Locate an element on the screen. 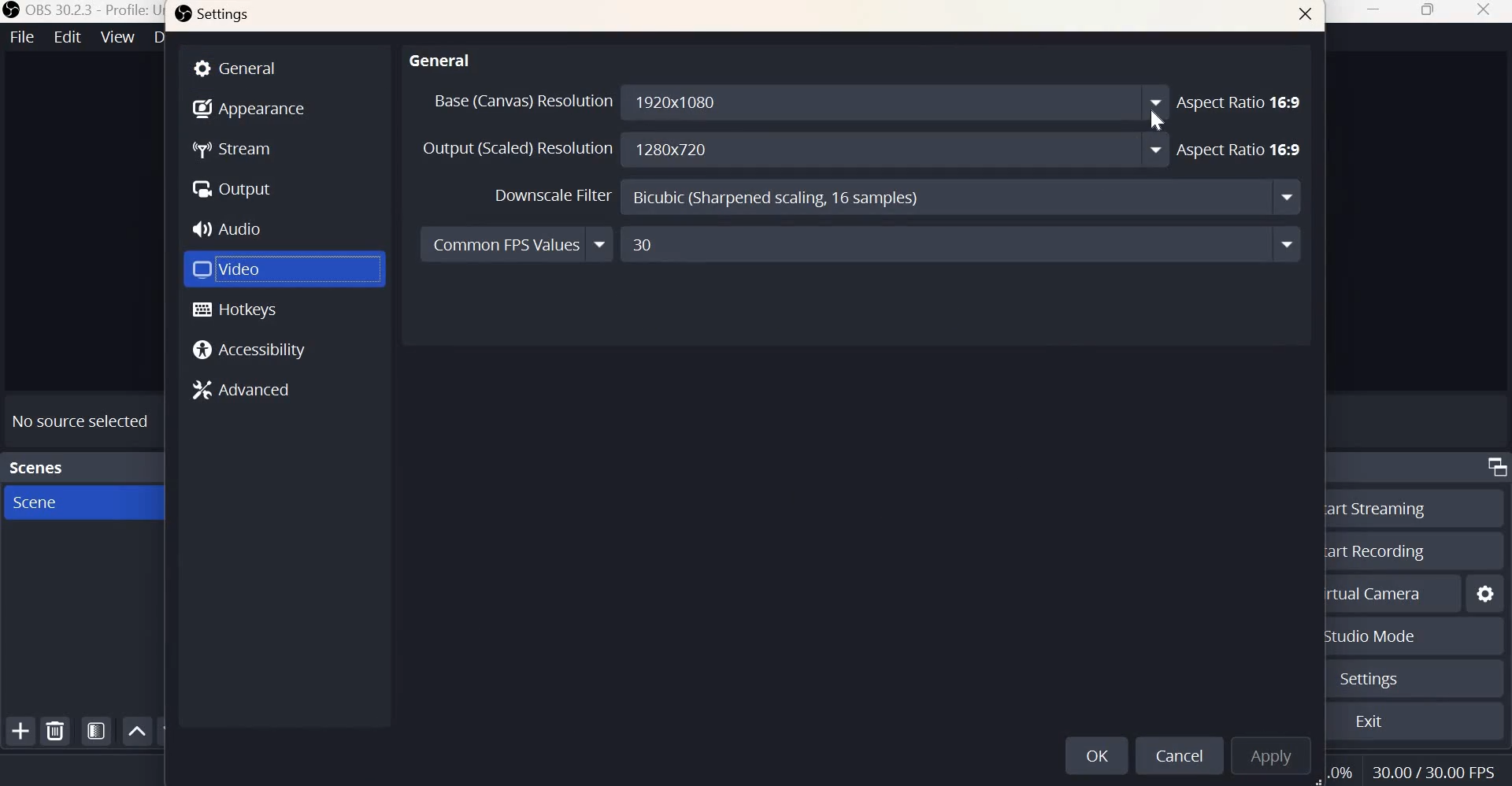 The image size is (1512, 786). View is located at coordinates (118, 38).